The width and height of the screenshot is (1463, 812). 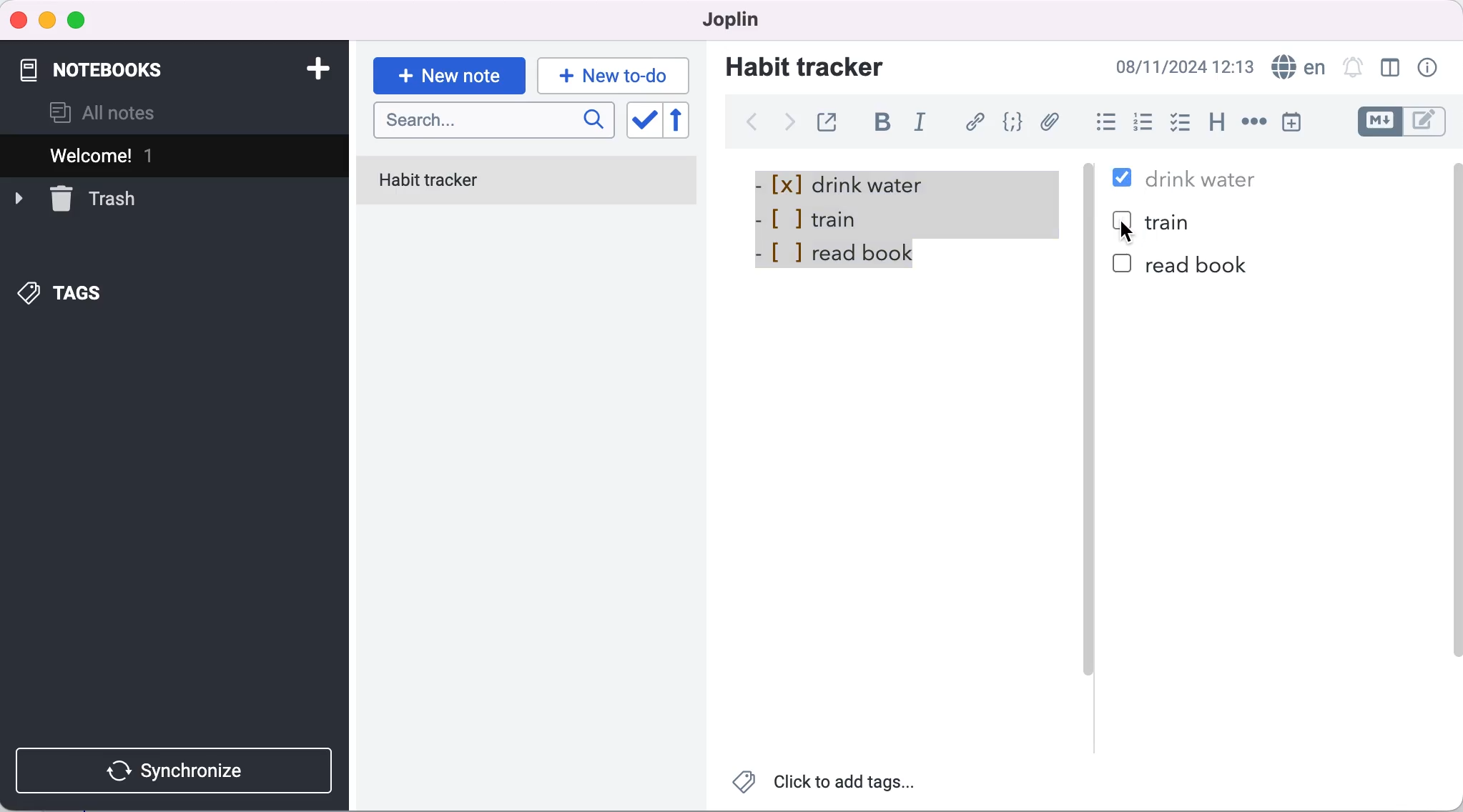 I want to click on habit tracker, so click(x=804, y=66).